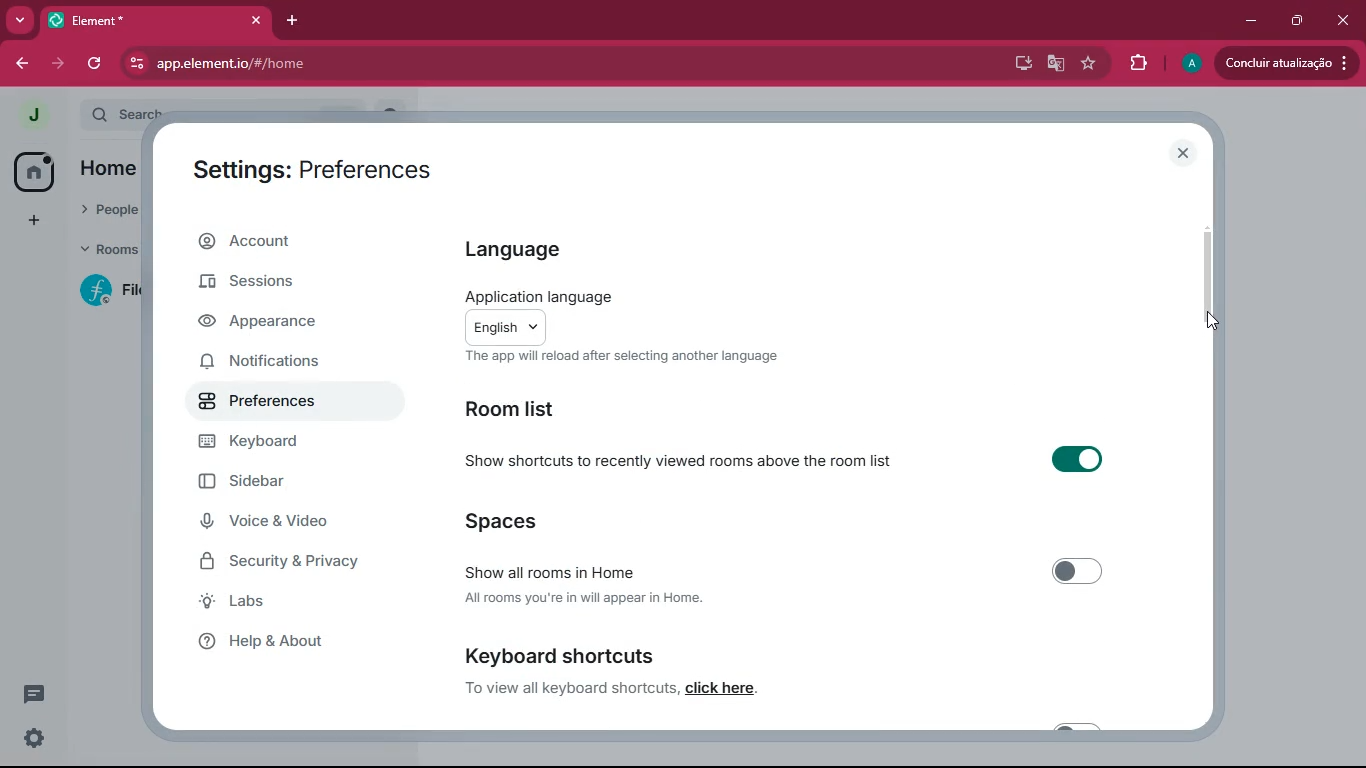  What do you see at coordinates (33, 220) in the screenshot?
I see `add` at bounding box center [33, 220].